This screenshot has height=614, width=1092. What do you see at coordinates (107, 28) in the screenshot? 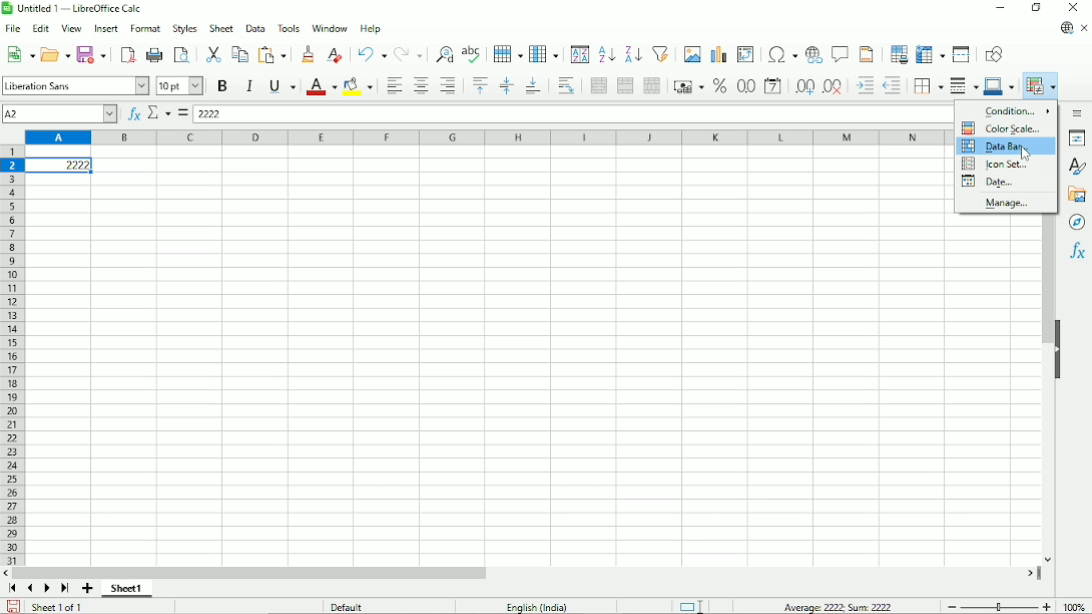
I see `Insert` at bounding box center [107, 28].